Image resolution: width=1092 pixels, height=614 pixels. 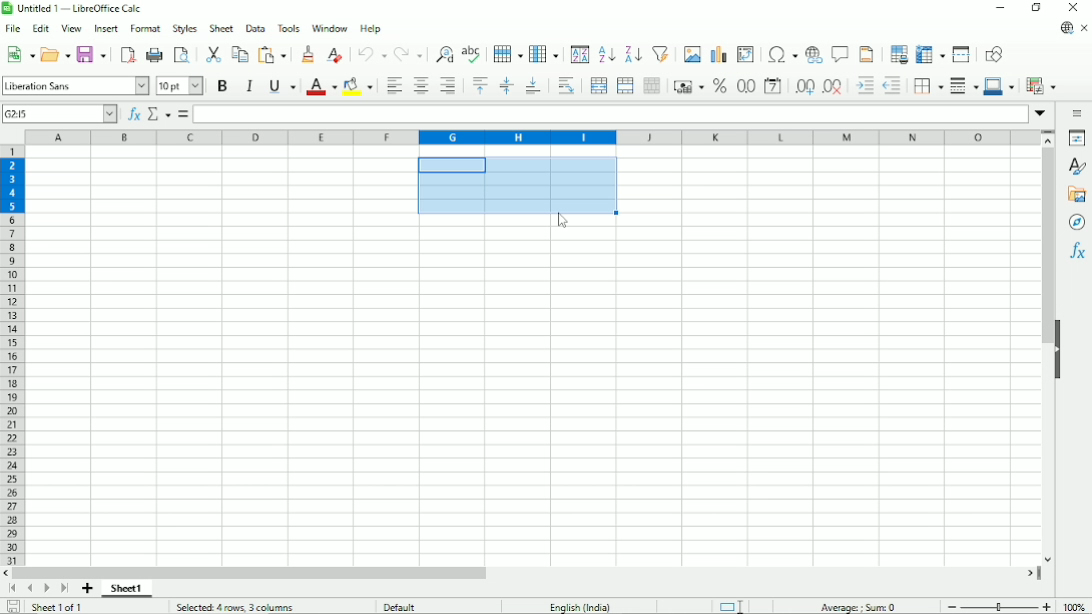 What do you see at coordinates (745, 54) in the screenshot?
I see `Insert or edit pivot table` at bounding box center [745, 54].